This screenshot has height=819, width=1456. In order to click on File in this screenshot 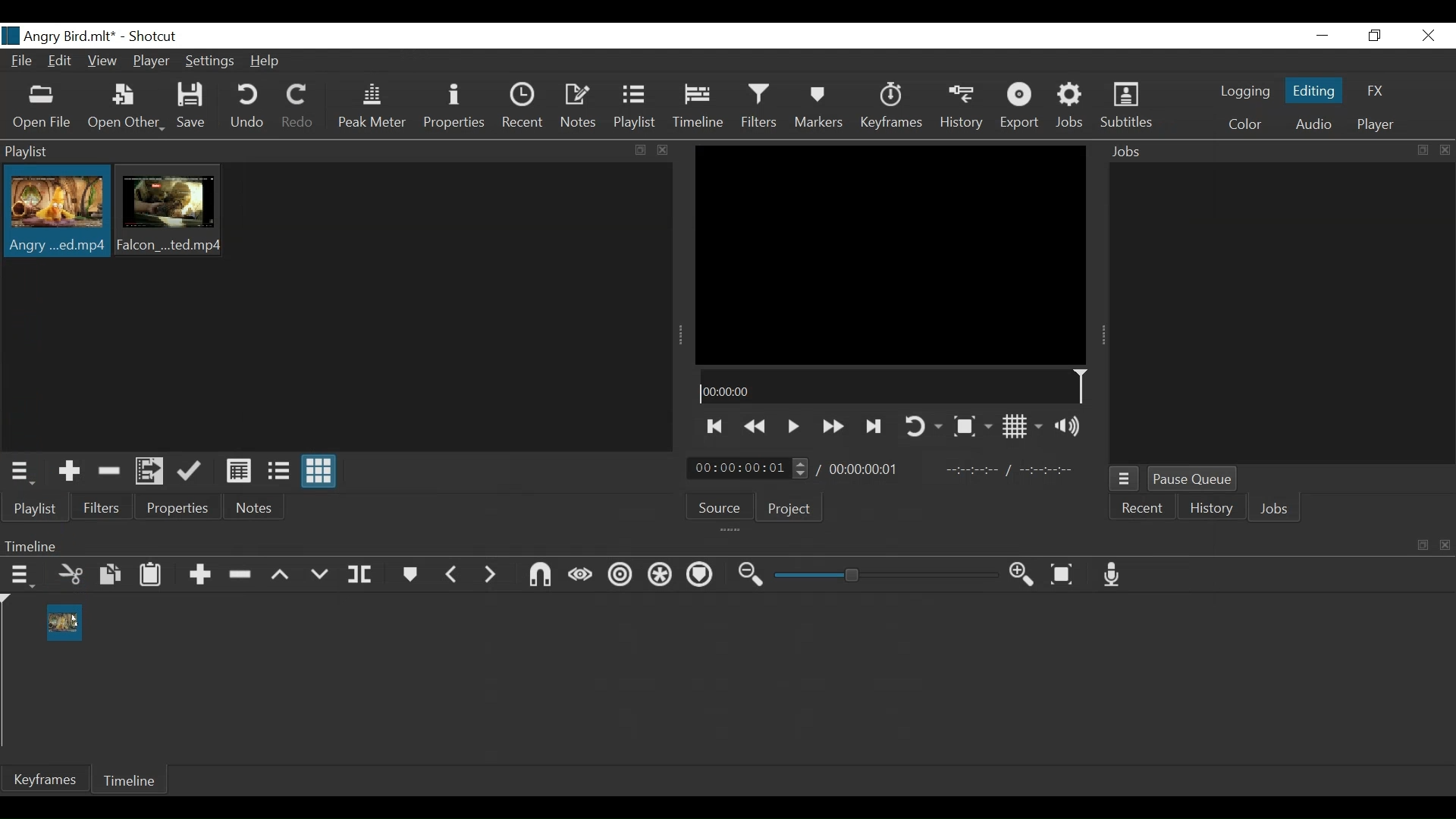, I will do `click(20, 62)`.